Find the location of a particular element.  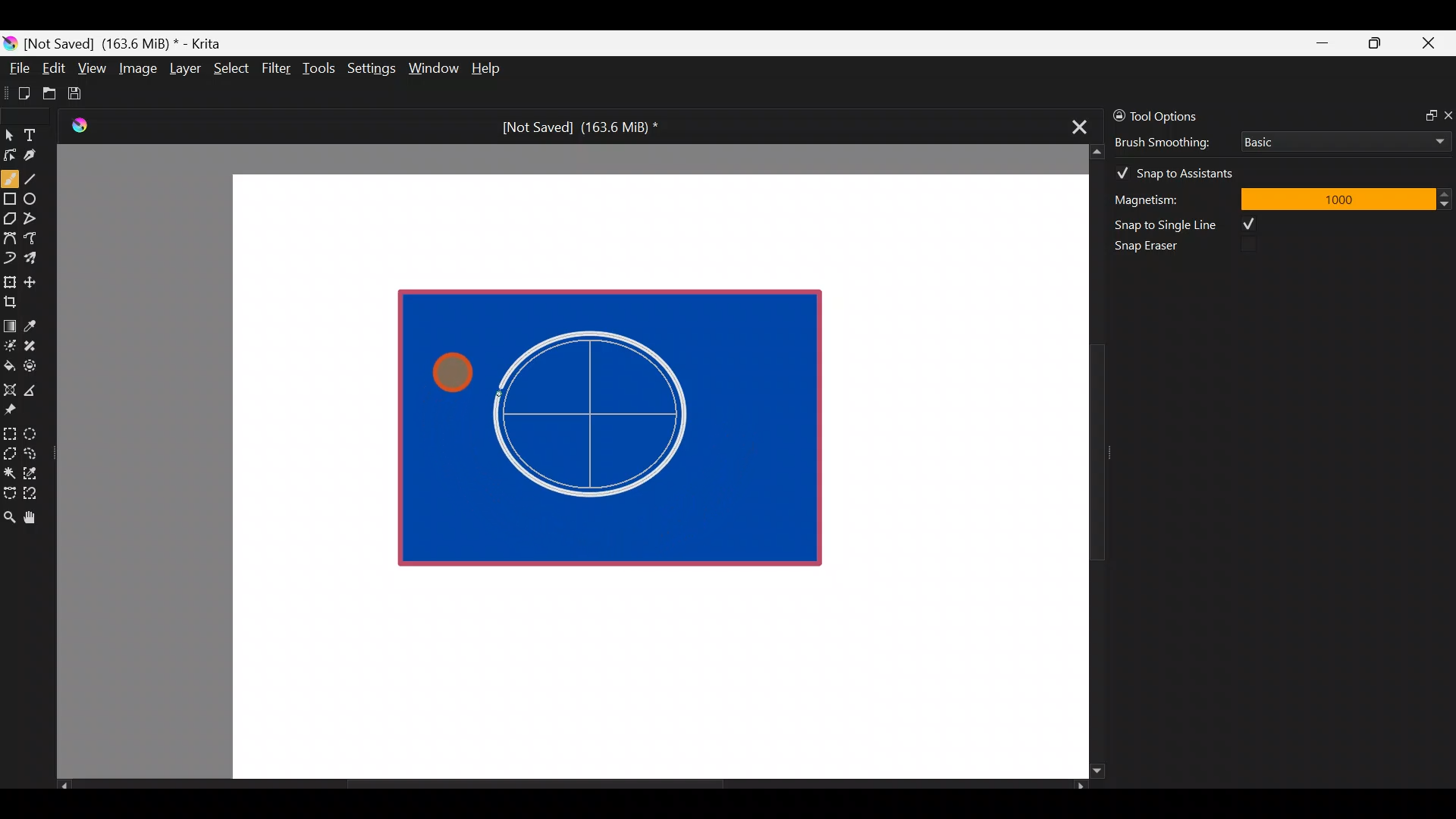

Smart patch tool is located at coordinates (35, 345).